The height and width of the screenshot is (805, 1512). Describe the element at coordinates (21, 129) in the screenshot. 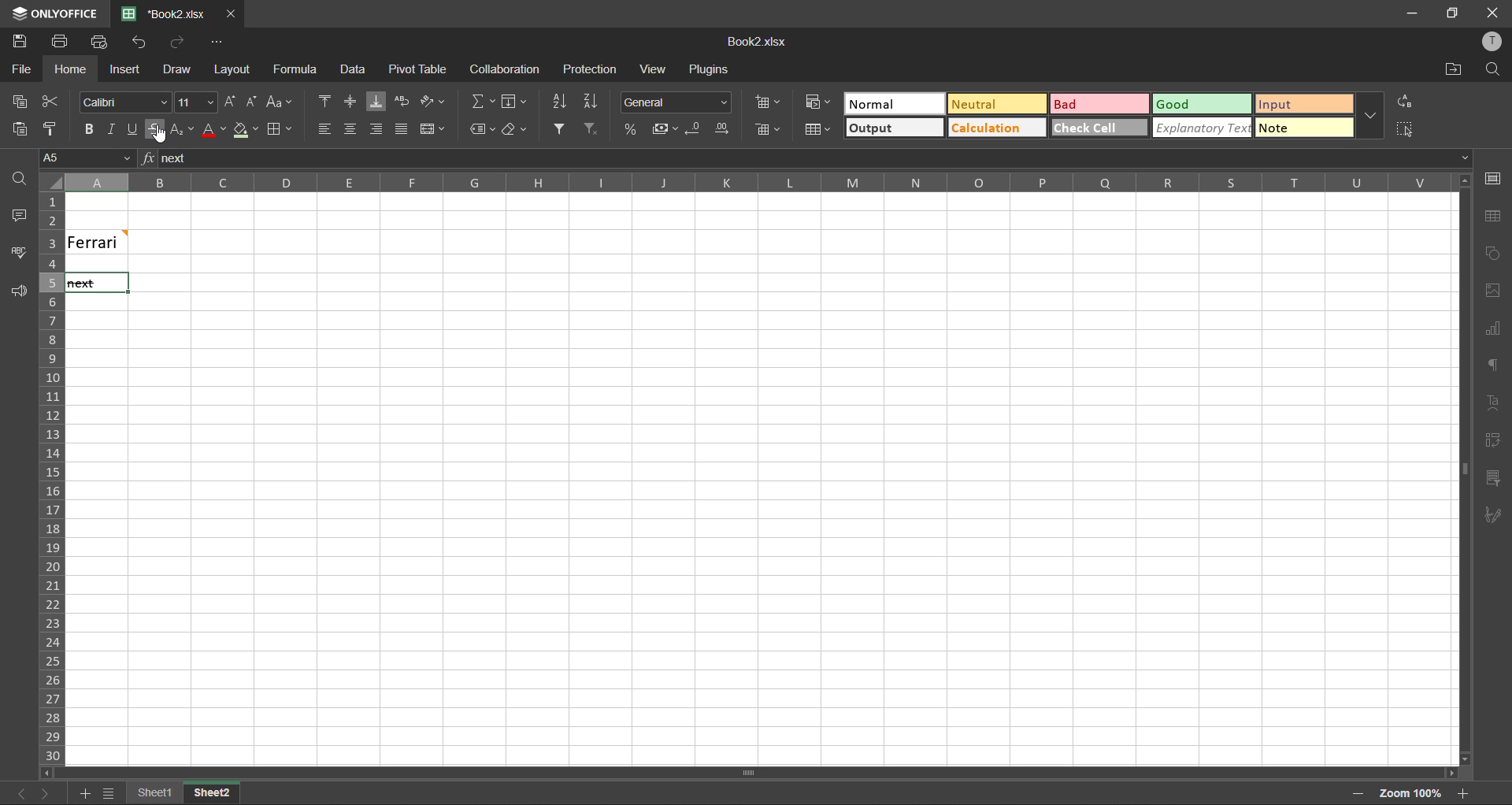

I see `paste` at that location.